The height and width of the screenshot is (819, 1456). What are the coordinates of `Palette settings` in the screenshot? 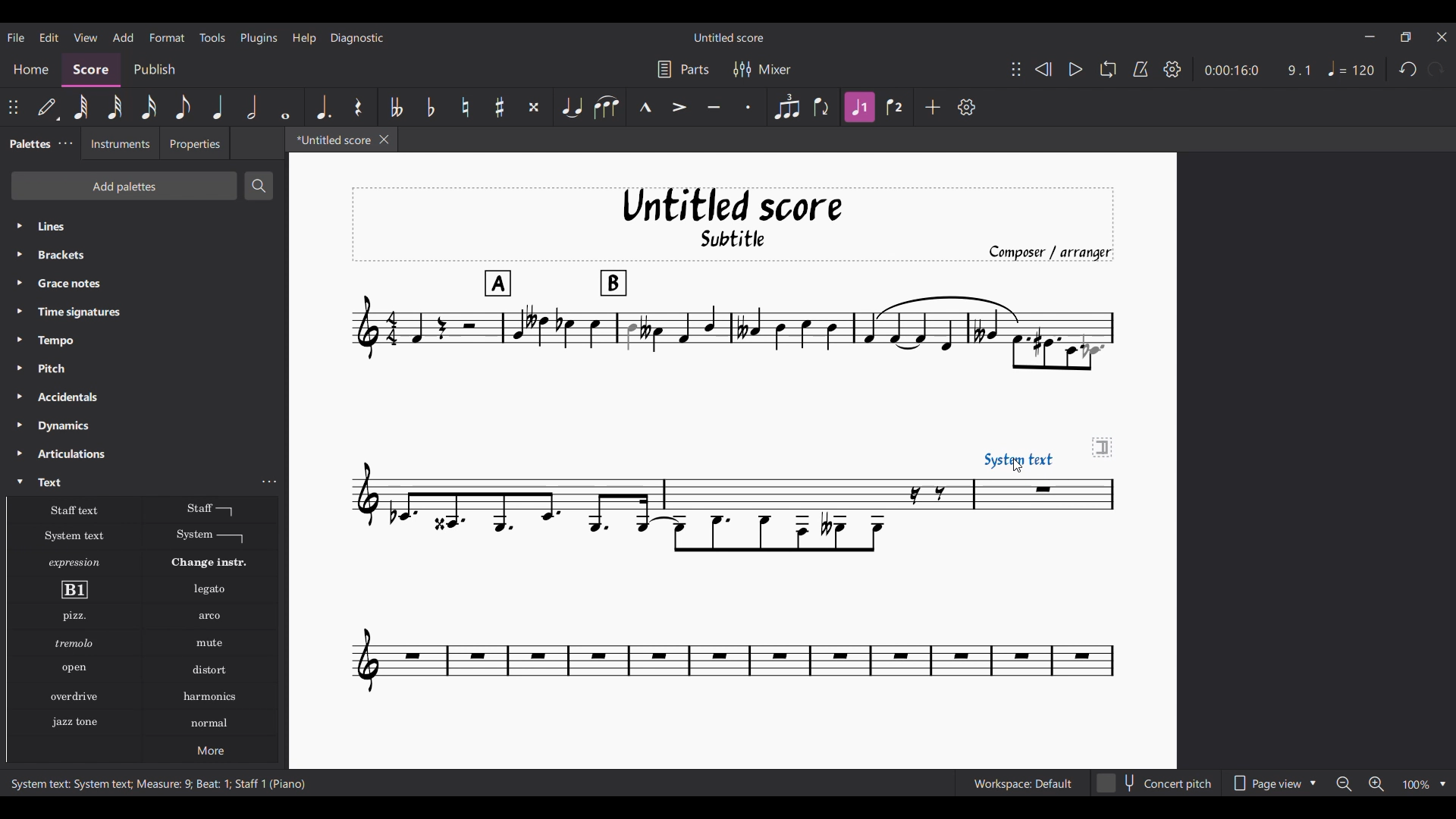 It's located at (66, 143).